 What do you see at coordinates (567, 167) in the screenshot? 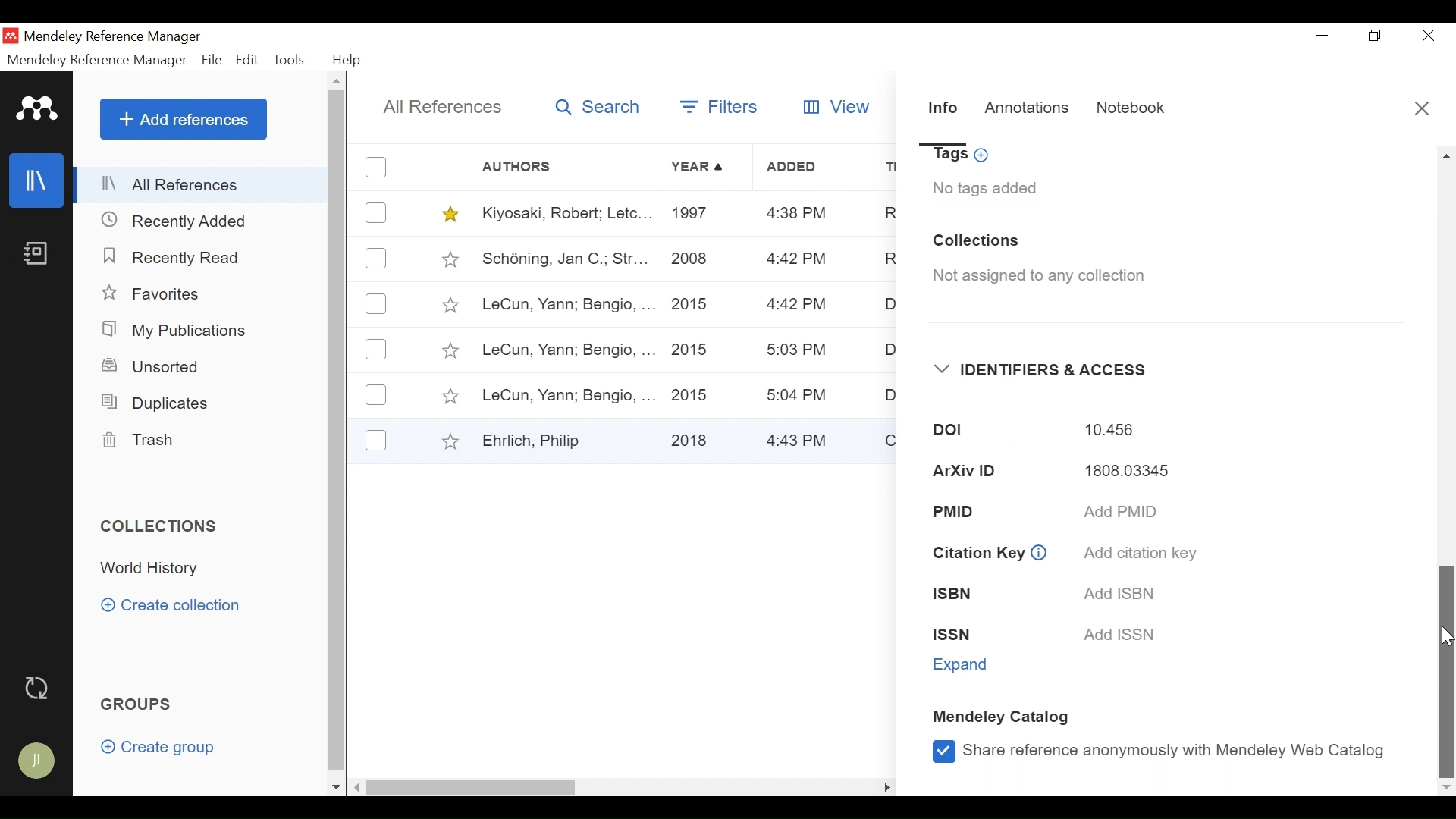
I see `Author ` at bounding box center [567, 167].